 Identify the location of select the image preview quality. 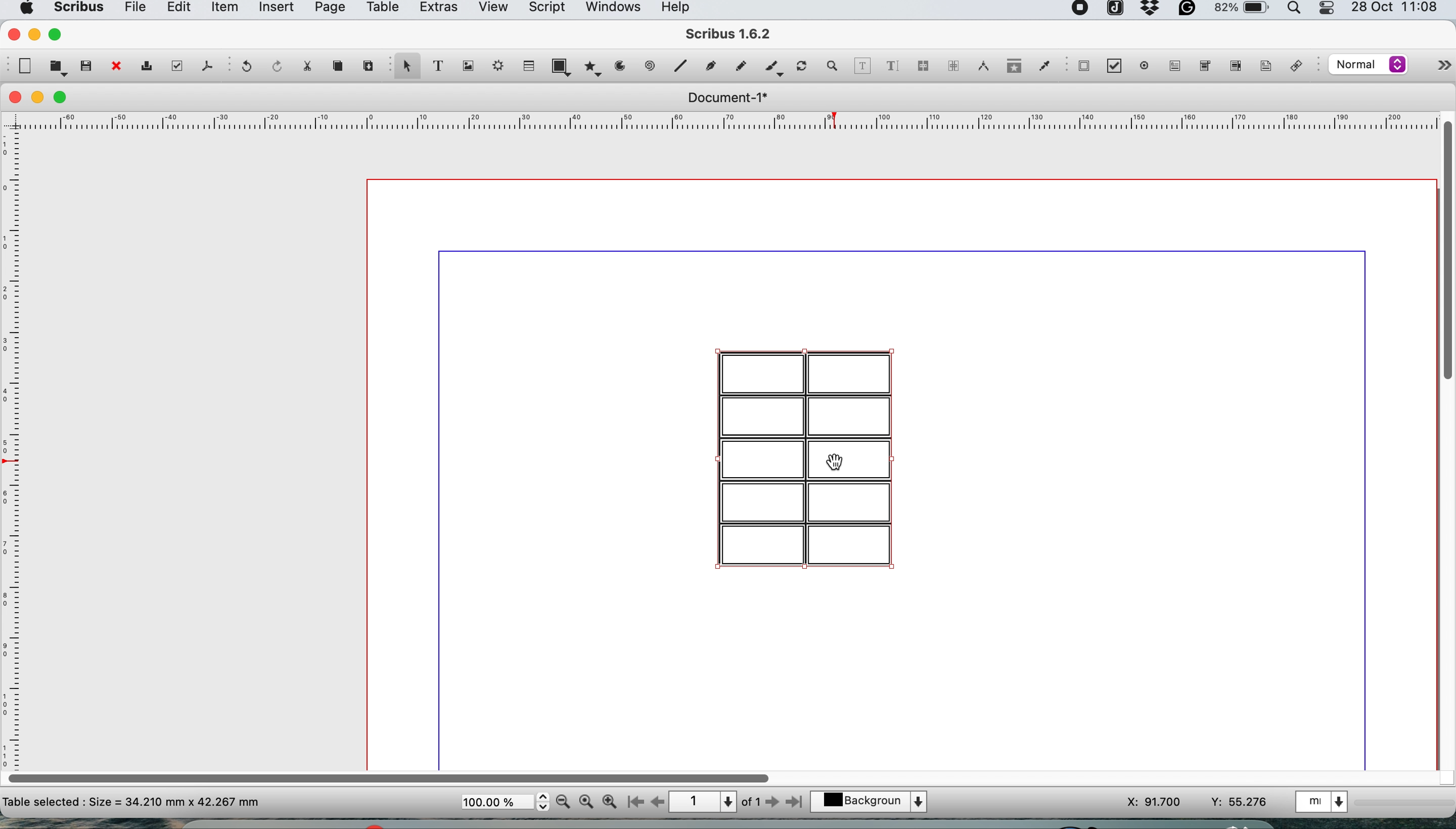
(1365, 64).